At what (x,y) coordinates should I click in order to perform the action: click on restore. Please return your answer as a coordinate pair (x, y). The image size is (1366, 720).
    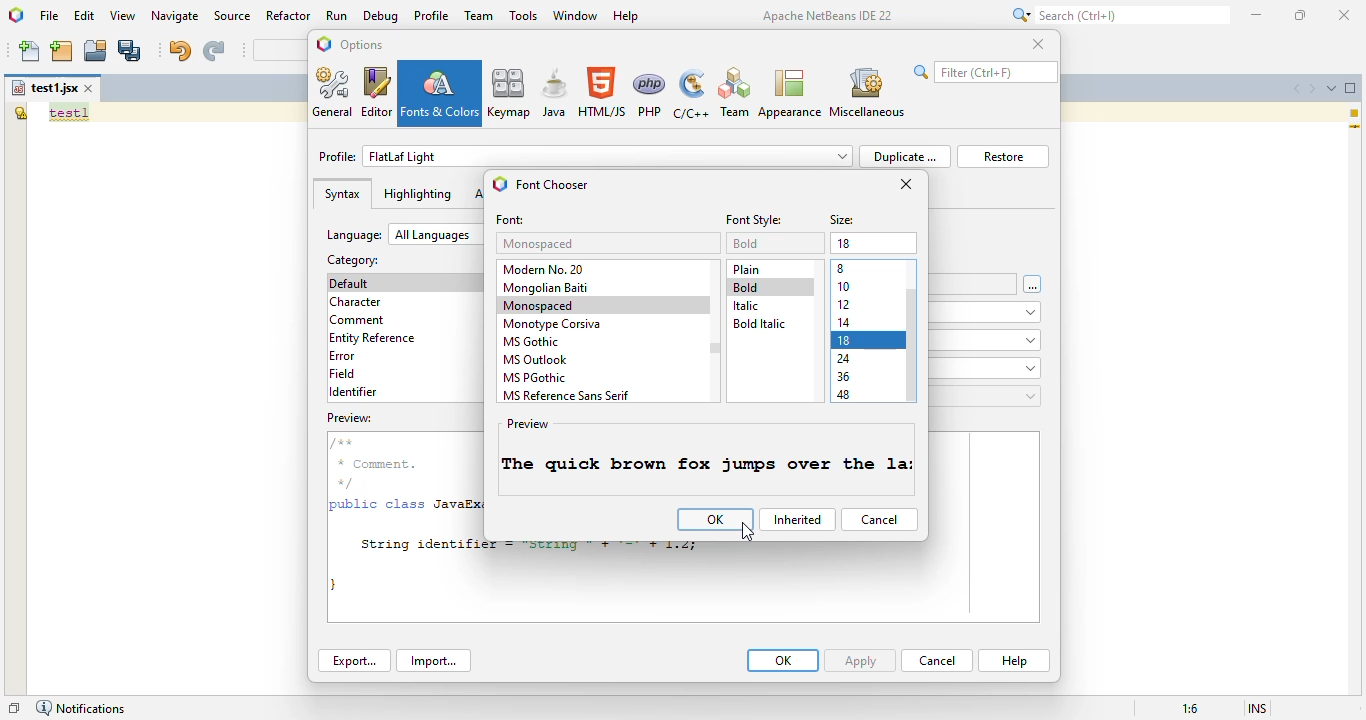
    Looking at the image, I should click on (1003, 156).